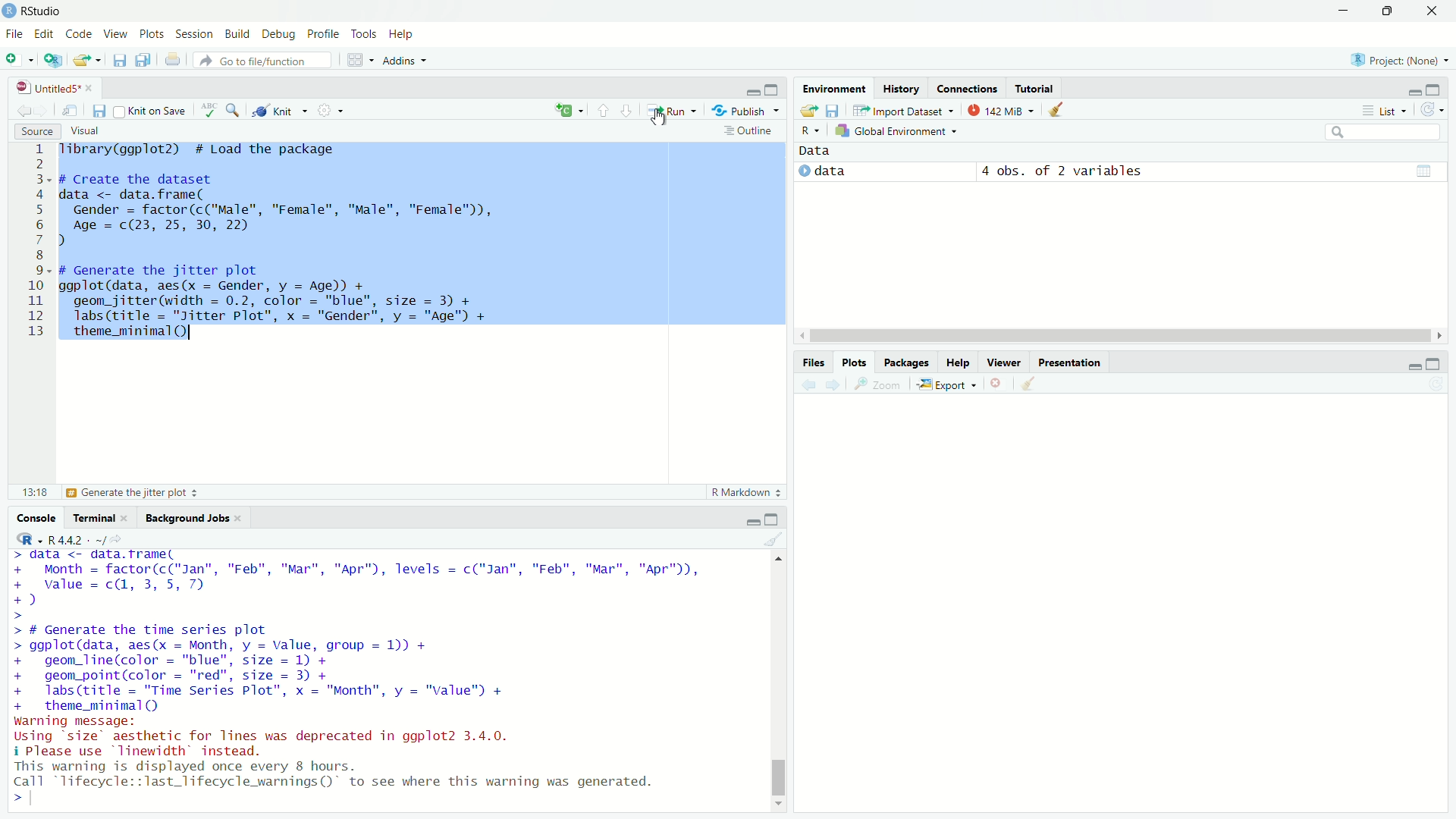 Image resolution: width=1456 pixels, height=819 pixels. Describe the element at coordinates (1387, 10) in the screenshot. I see `maximize` at that location.